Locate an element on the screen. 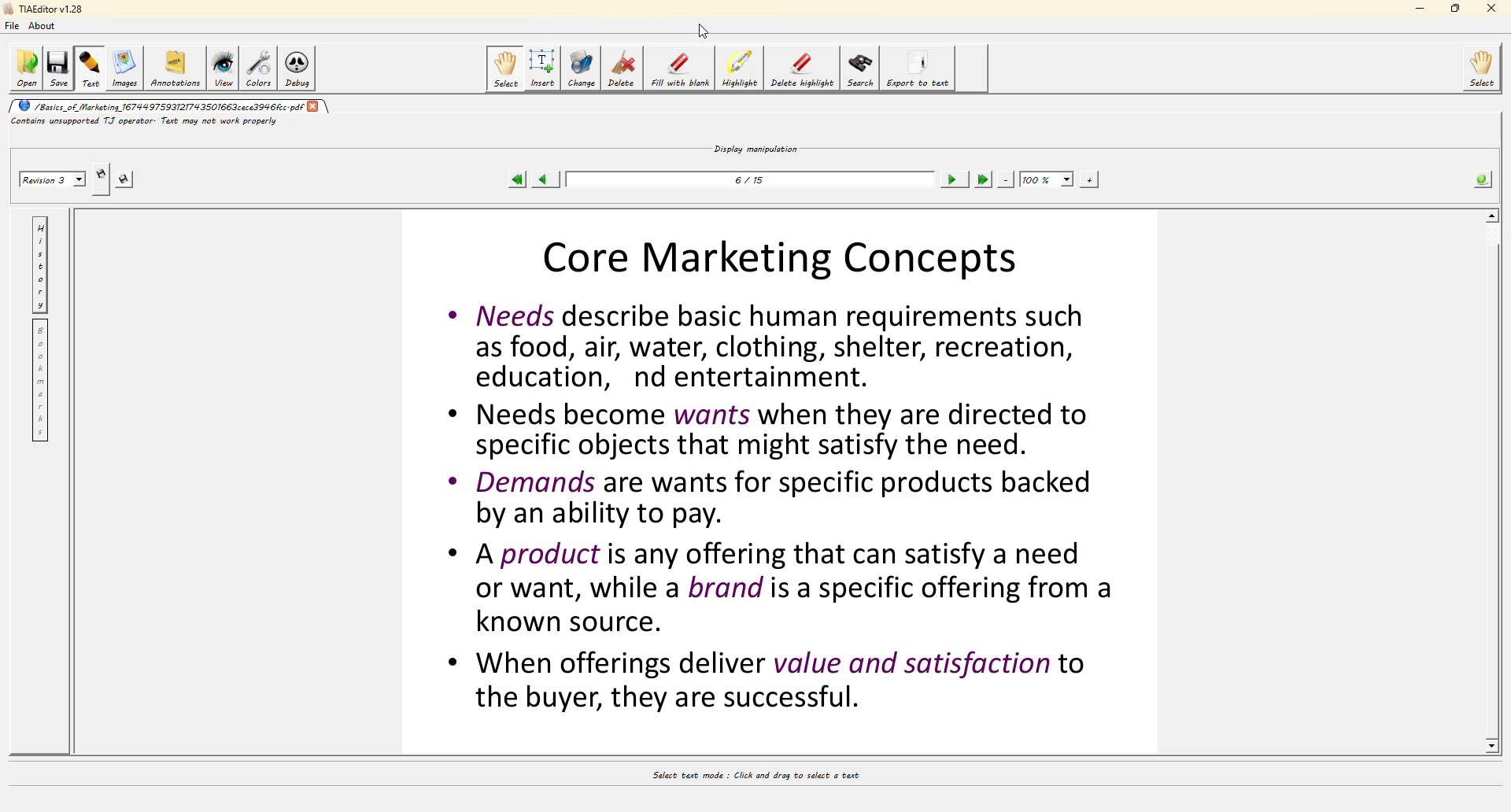  revision 2 is located at coordinates (54, 180).